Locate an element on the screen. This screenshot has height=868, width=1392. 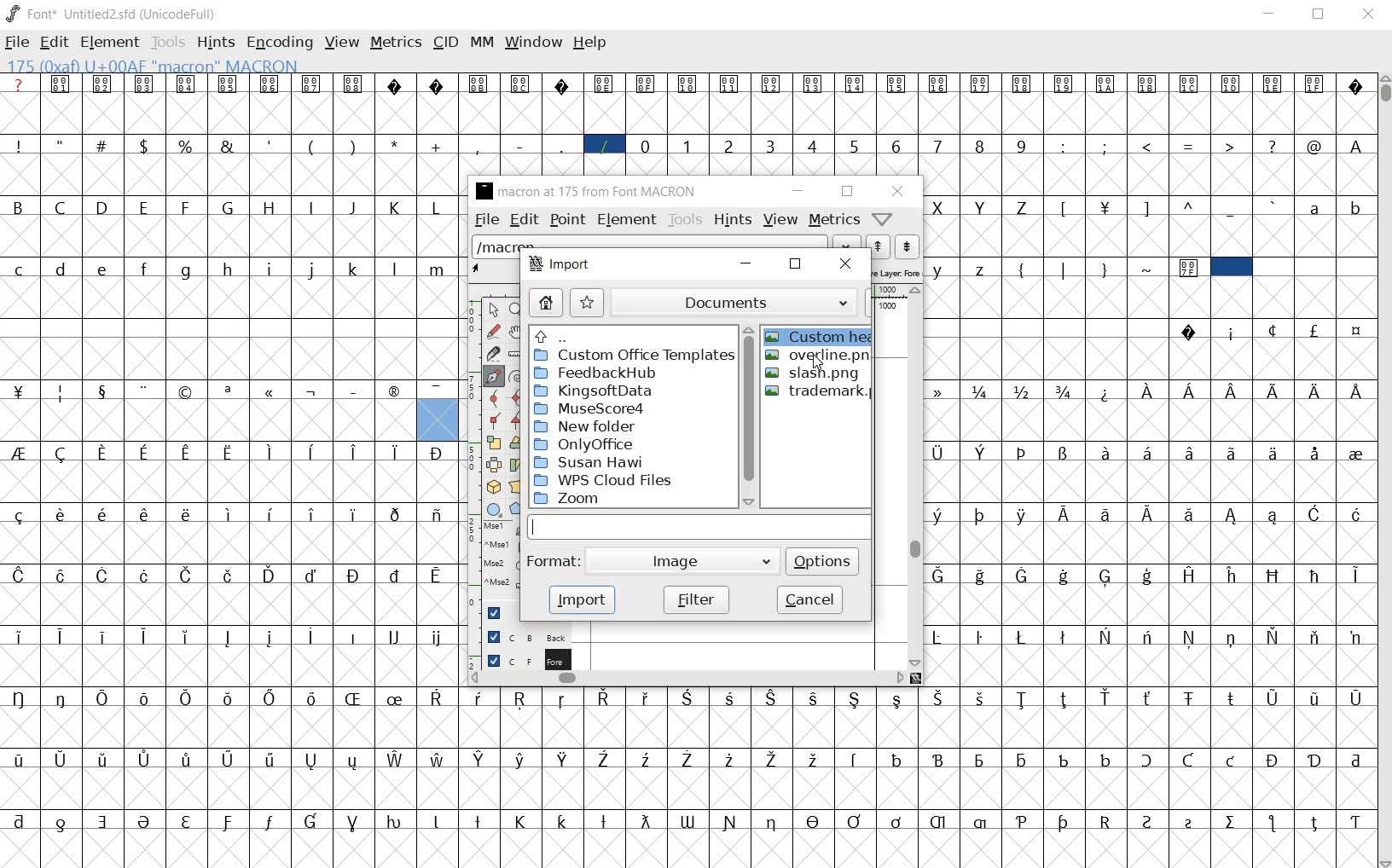
Symbol is located at coordinates (1022, 759).